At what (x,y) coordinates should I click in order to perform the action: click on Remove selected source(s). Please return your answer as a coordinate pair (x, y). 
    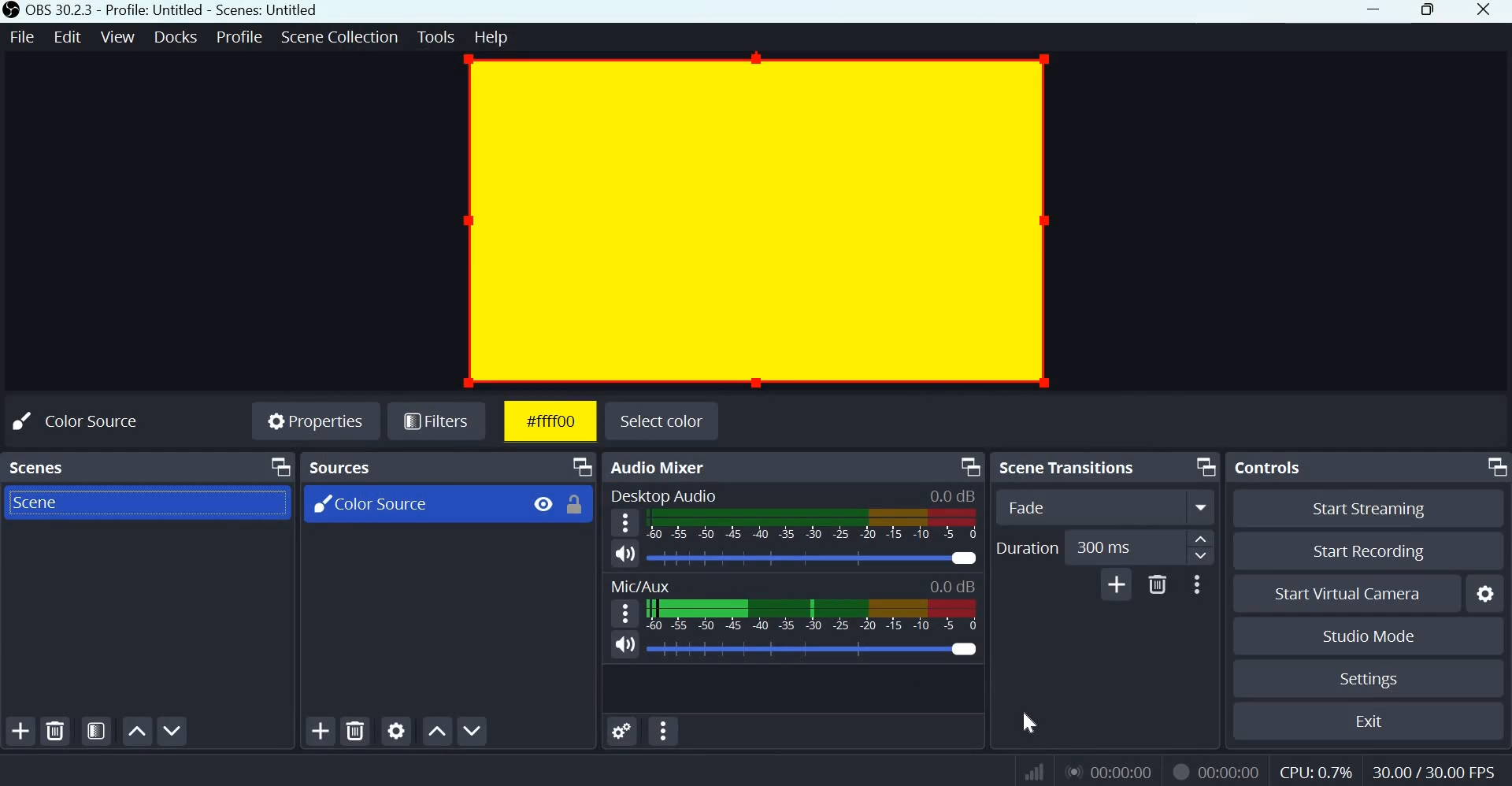
    Looking at the image, I should click on (356, 730).